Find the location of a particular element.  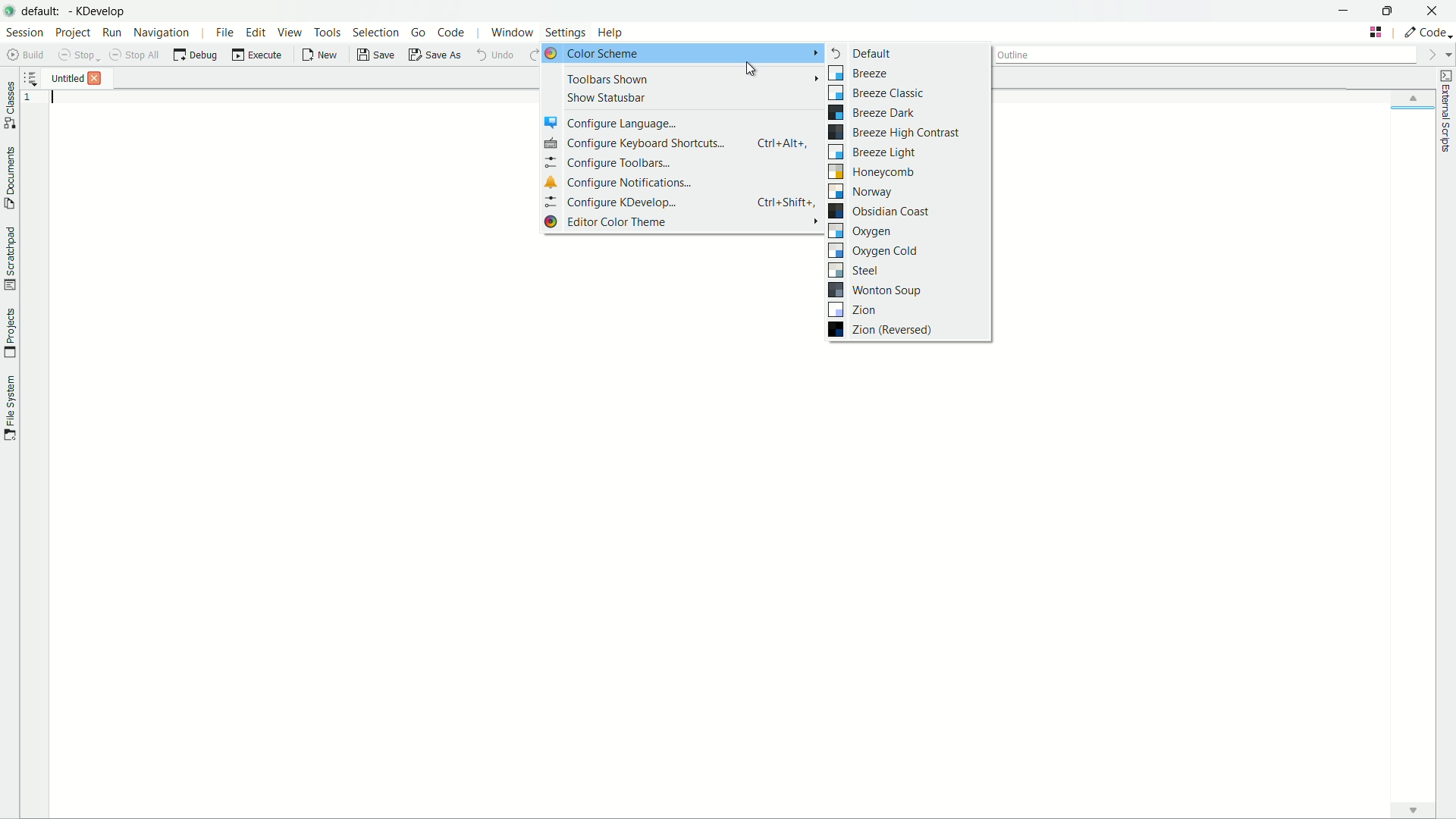

session is located at coordinates (25, 32).